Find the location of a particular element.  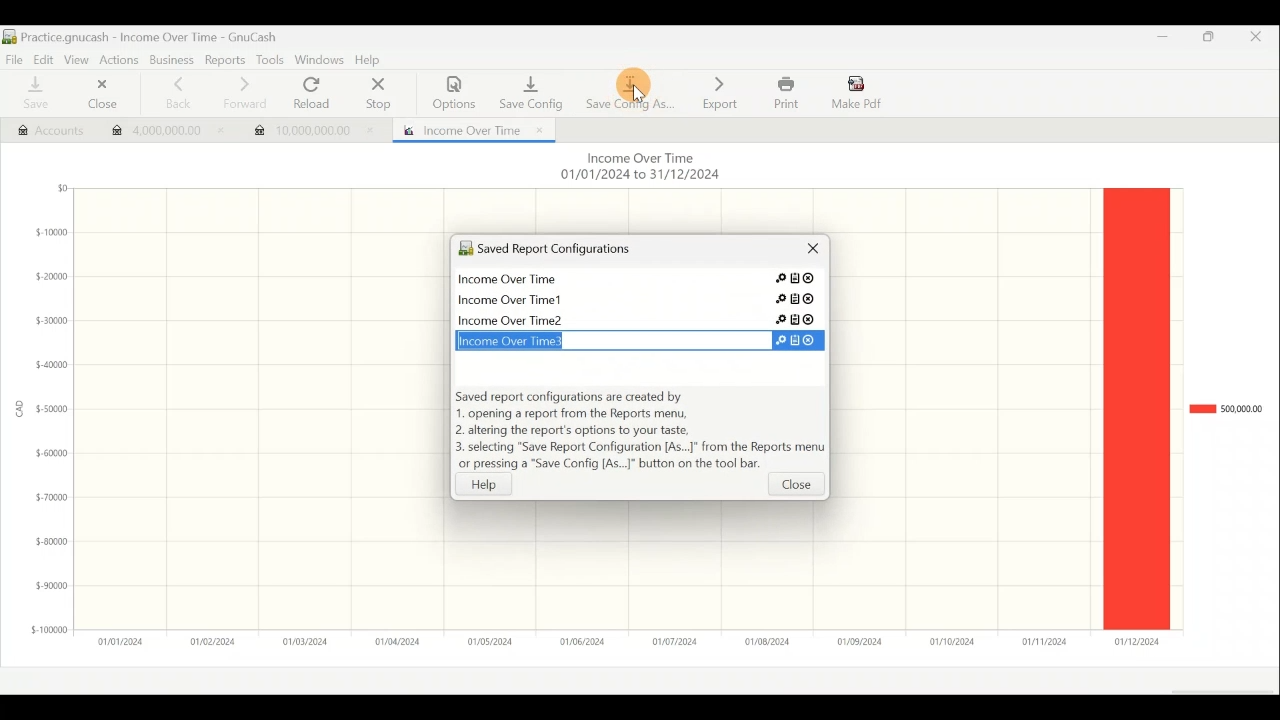

Chart name & date range is located at coordinates (638, 168).